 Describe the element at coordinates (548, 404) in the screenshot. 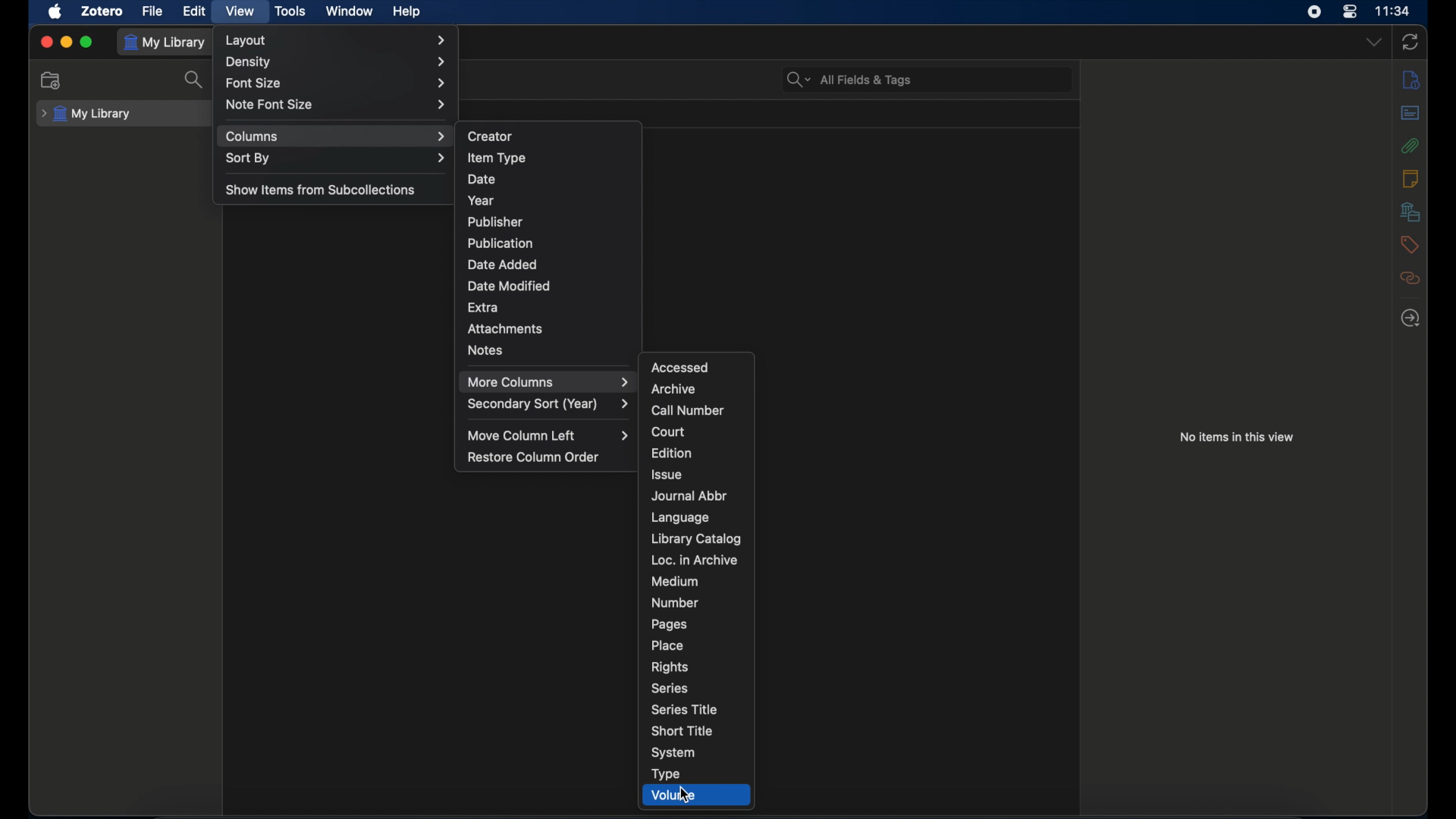

I see `secondary sort` at that location.